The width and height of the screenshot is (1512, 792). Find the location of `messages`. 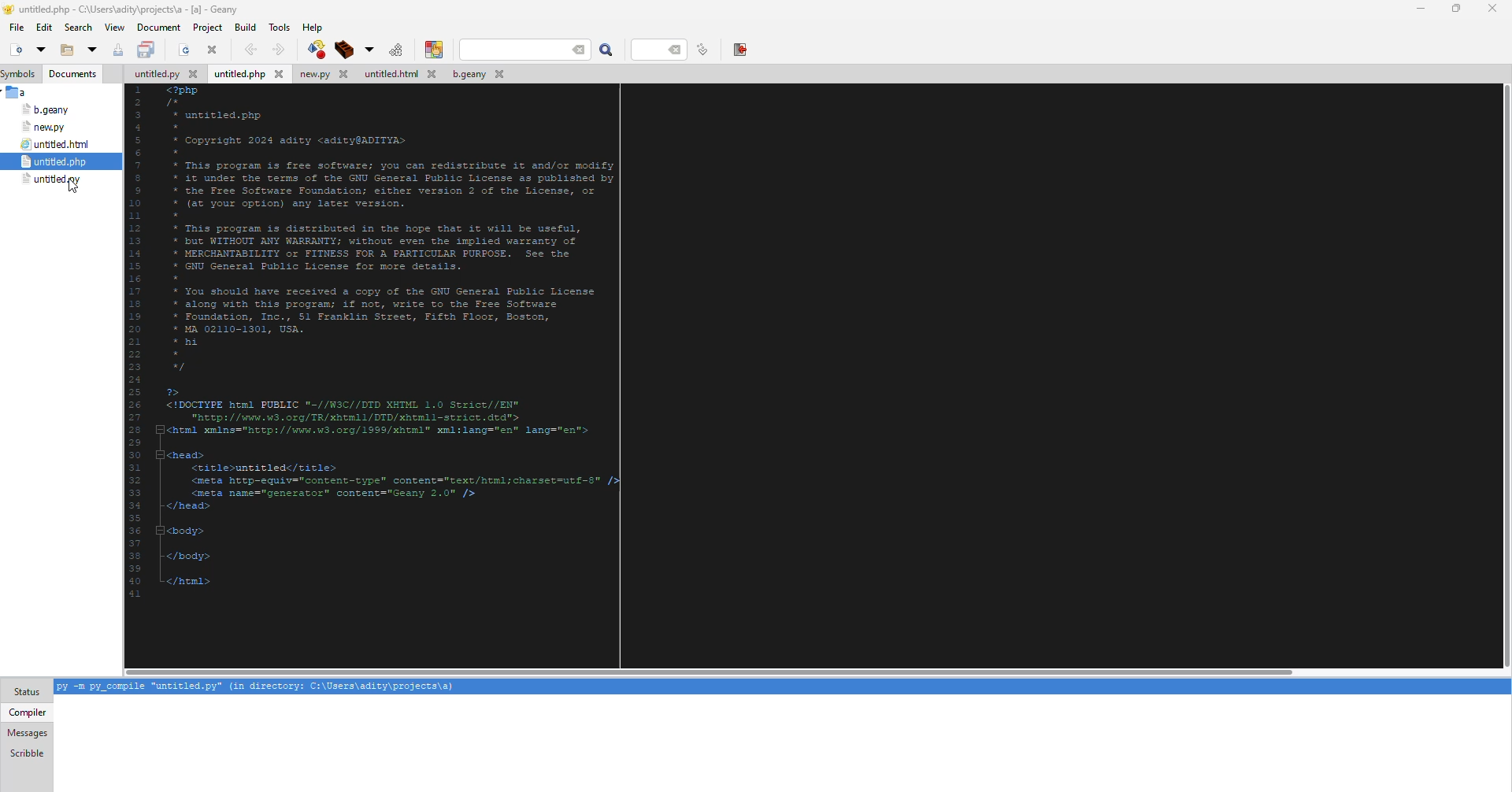

messages is located at coordinates (28, 733).